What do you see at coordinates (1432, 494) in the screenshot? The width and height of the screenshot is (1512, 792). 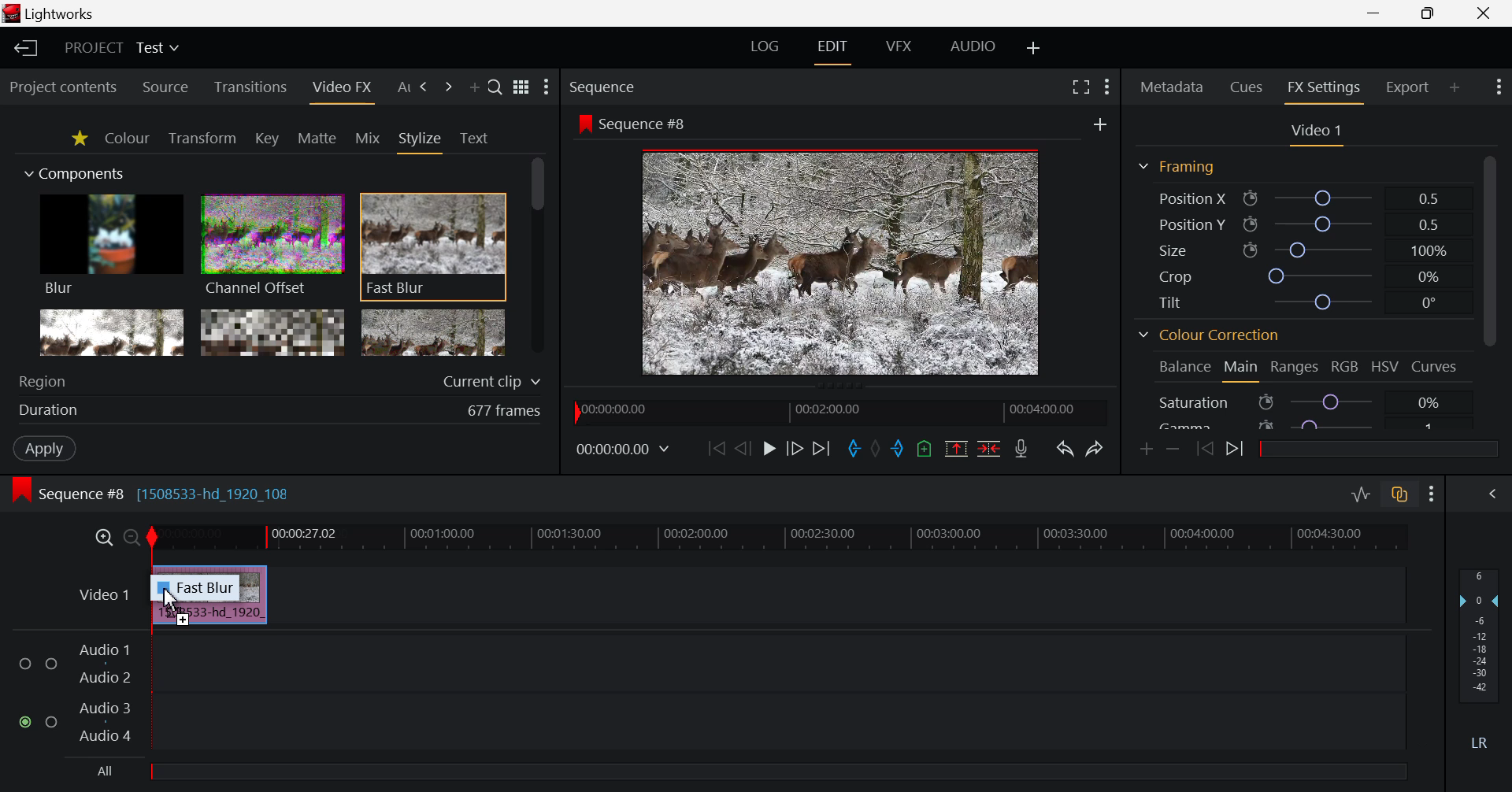 I see `Show Settings` at bounding box center [1432, 494].